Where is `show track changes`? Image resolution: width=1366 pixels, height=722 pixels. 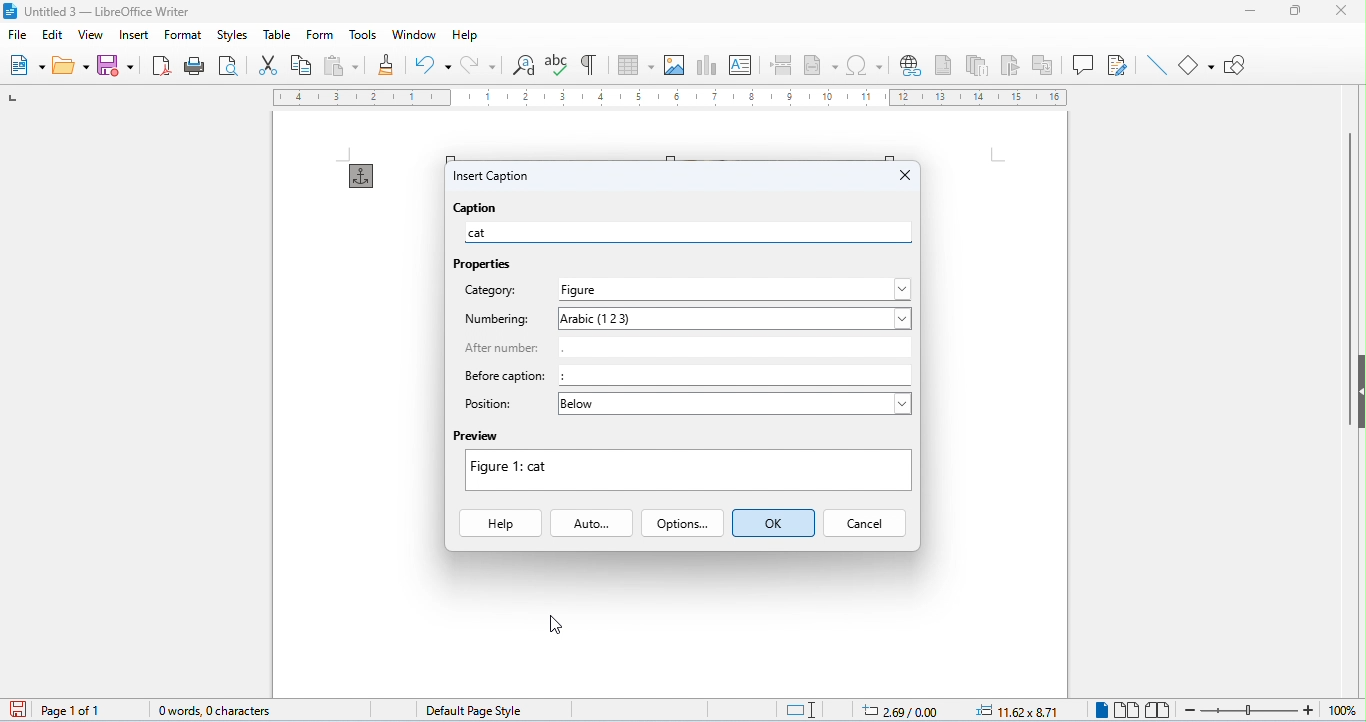
show track changes is located at coordinates (1118, 65).